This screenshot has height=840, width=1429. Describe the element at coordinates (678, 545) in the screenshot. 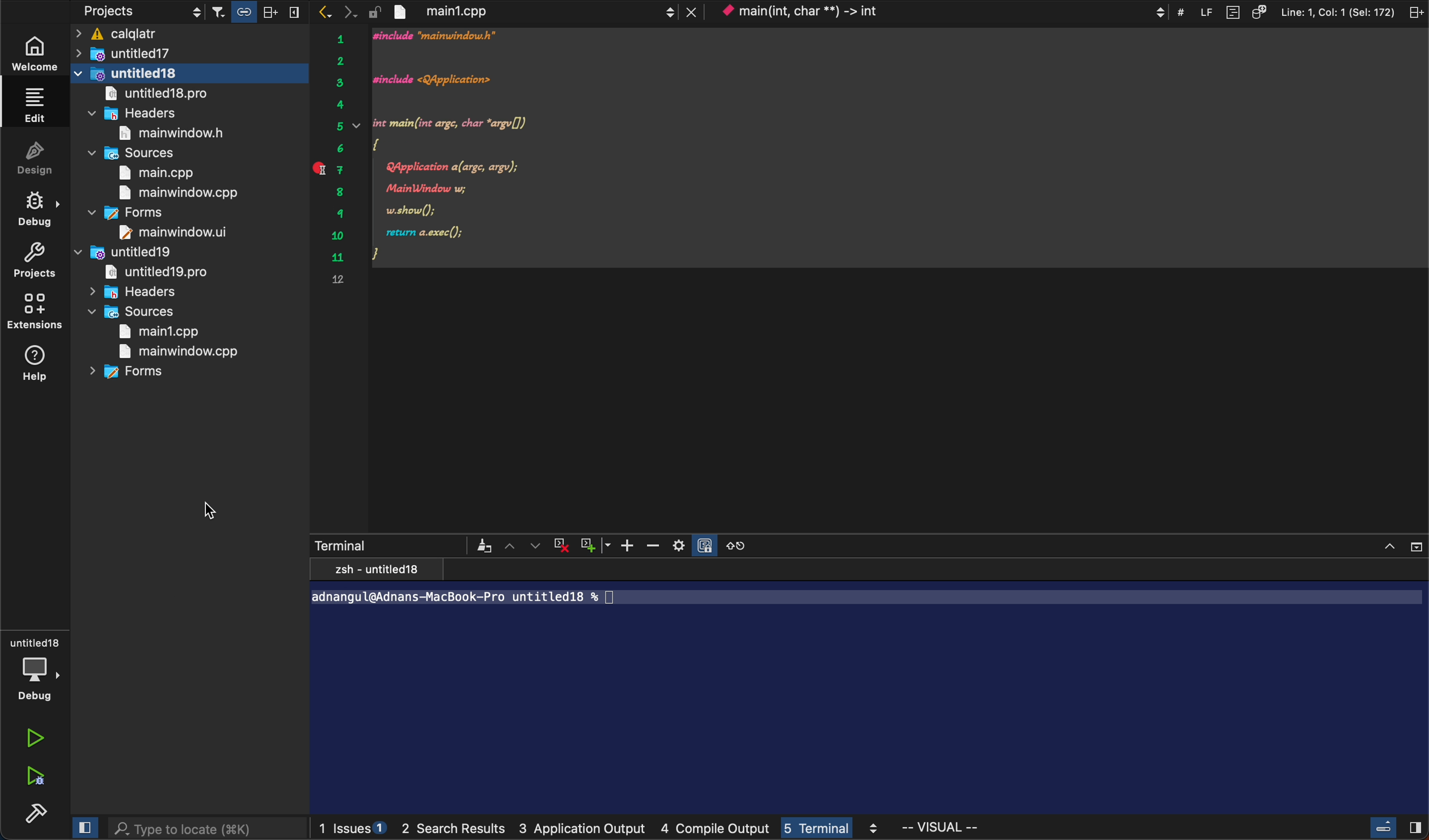

I see `setting` at that location.